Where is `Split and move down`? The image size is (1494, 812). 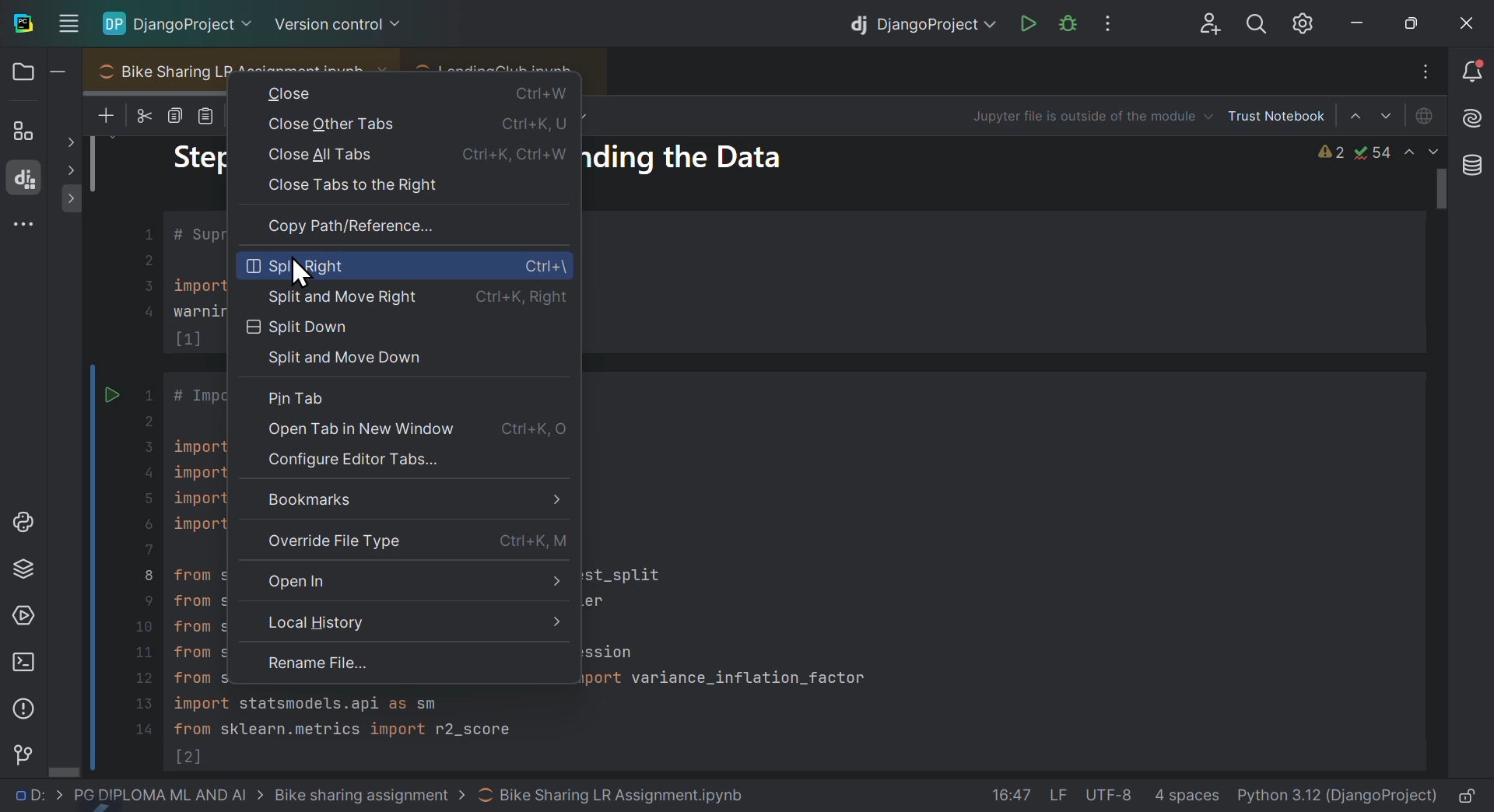
Split and move down is located at coordinates (345, 363).